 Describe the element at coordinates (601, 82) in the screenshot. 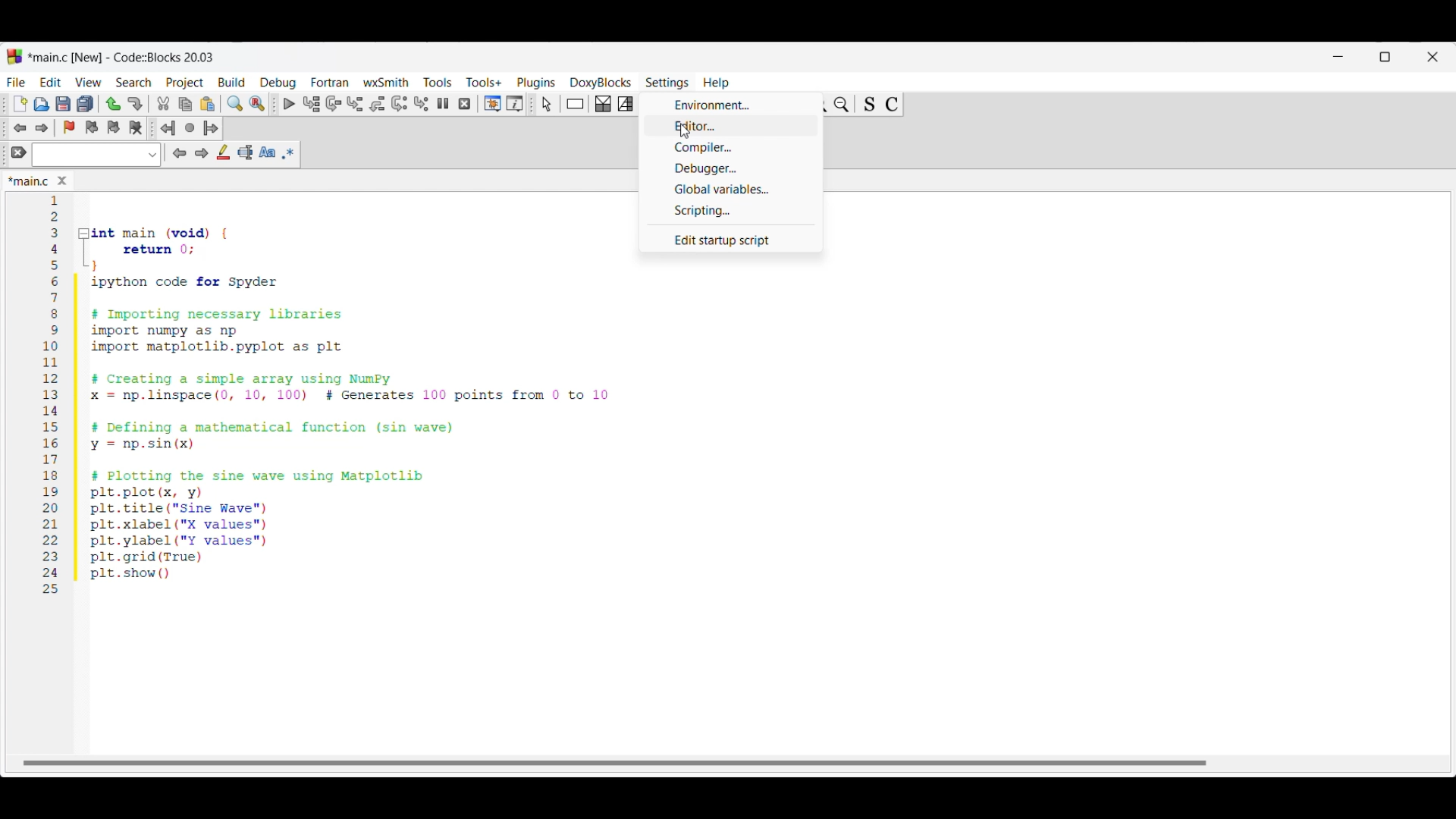

I see `DoxyBlocks menu` at that location.